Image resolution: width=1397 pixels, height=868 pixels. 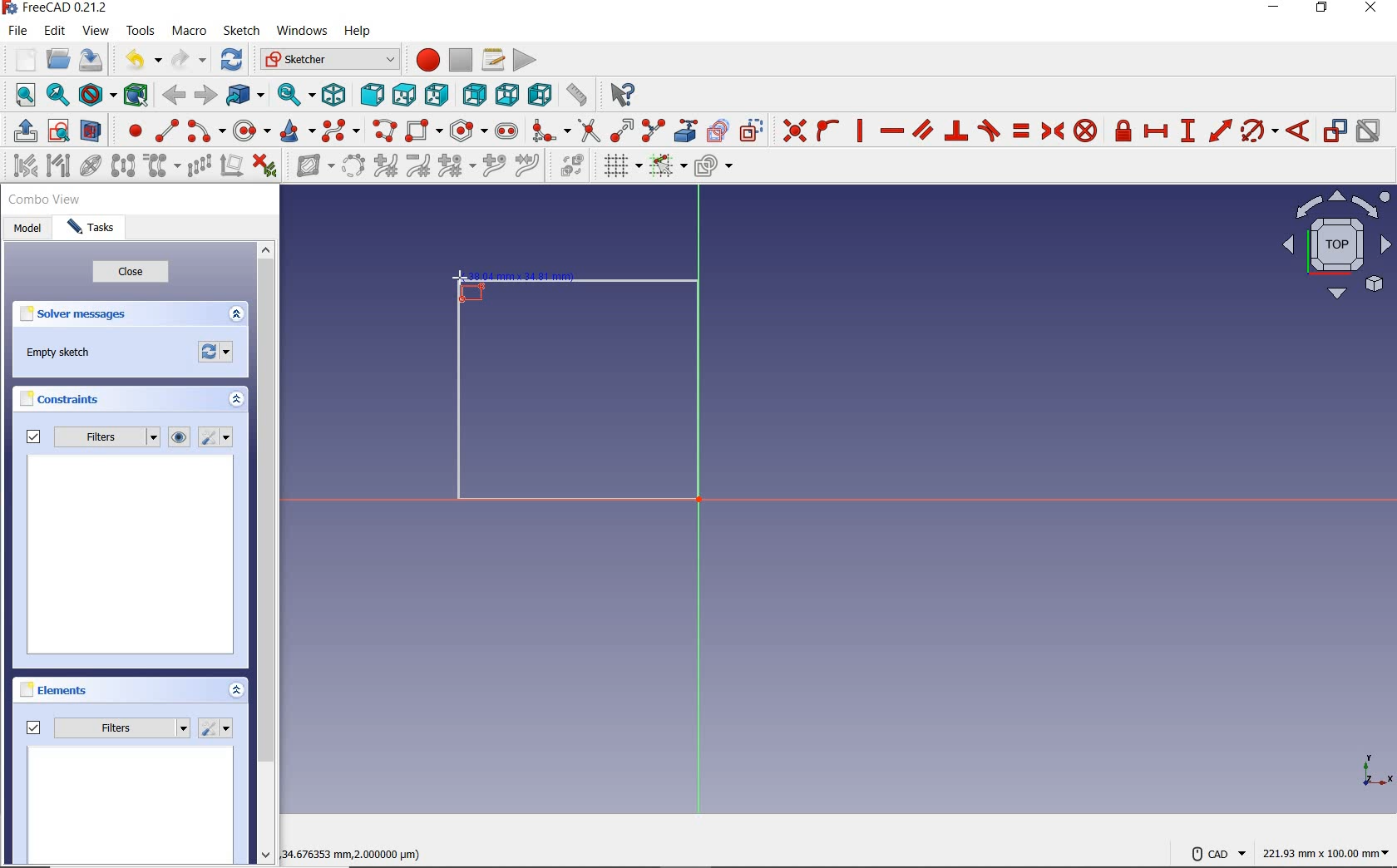 What do you see at coordinates (299, 131) in the screenshot?
I see `create conic` at bounding box center [299, 131].